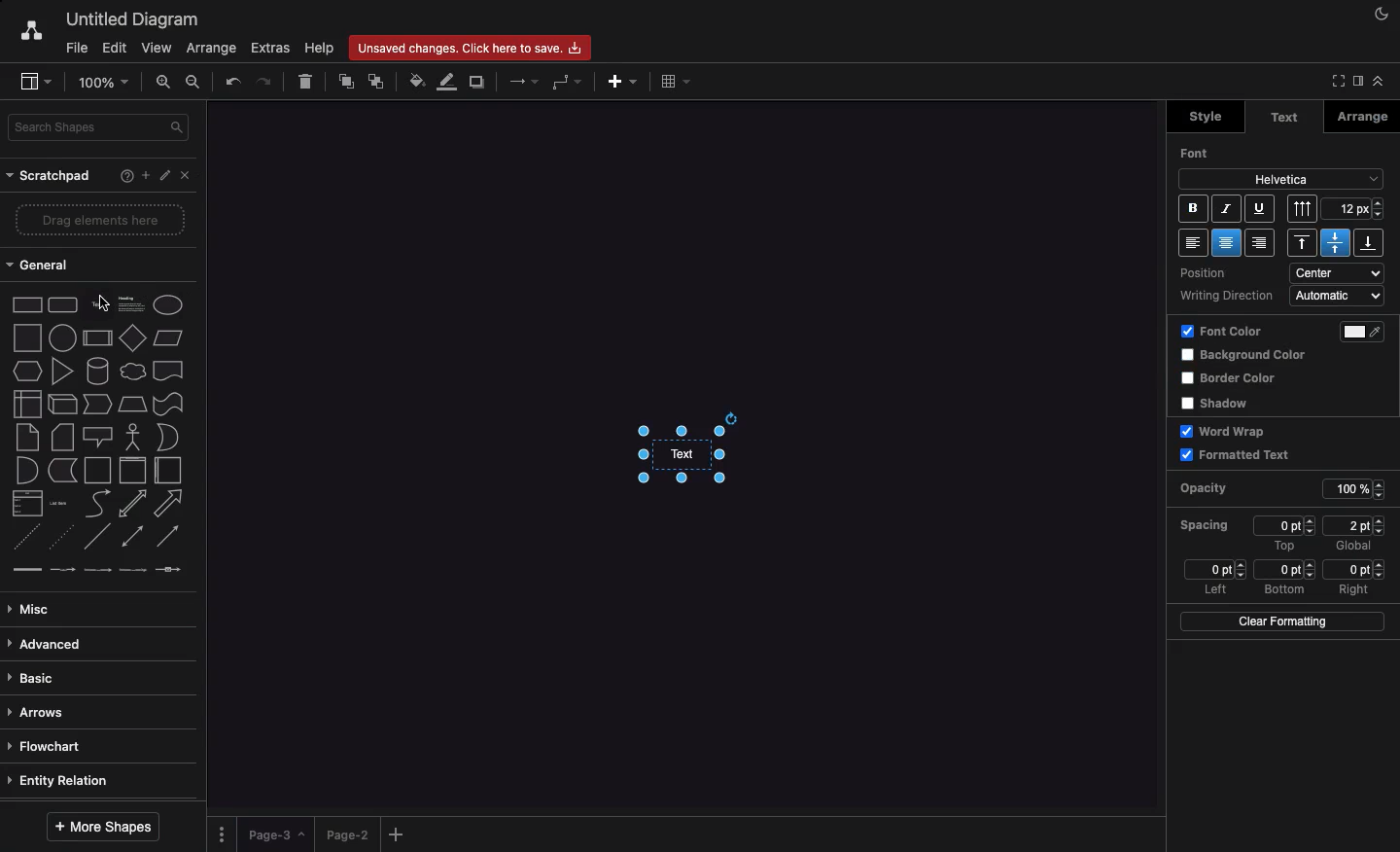 The width and height of the screenshot is (1400, 852). I want to click on cloud, so click(133, 372).